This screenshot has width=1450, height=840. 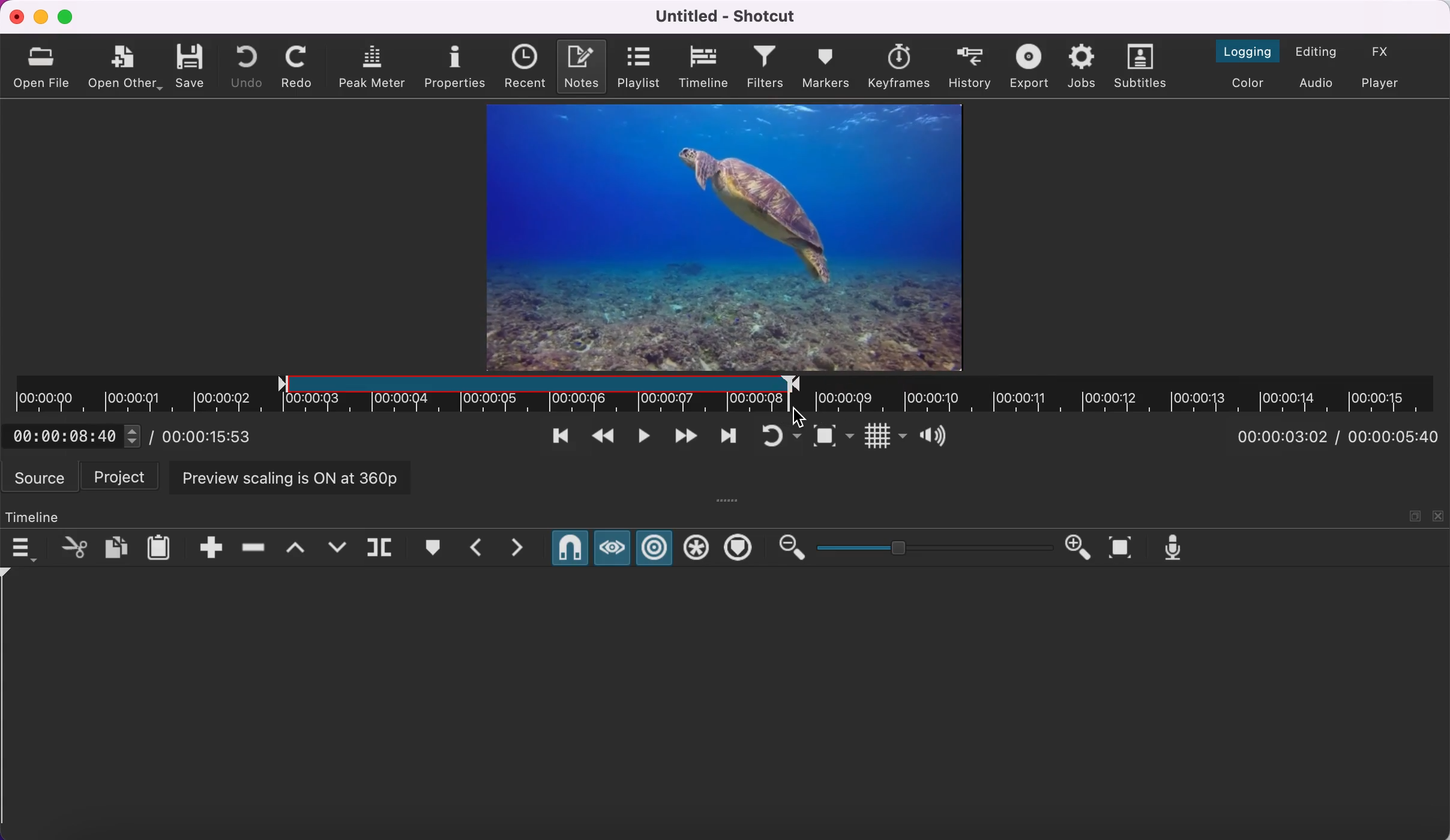 I want to click on unclipped timeline, so click(x=1122, y=394).